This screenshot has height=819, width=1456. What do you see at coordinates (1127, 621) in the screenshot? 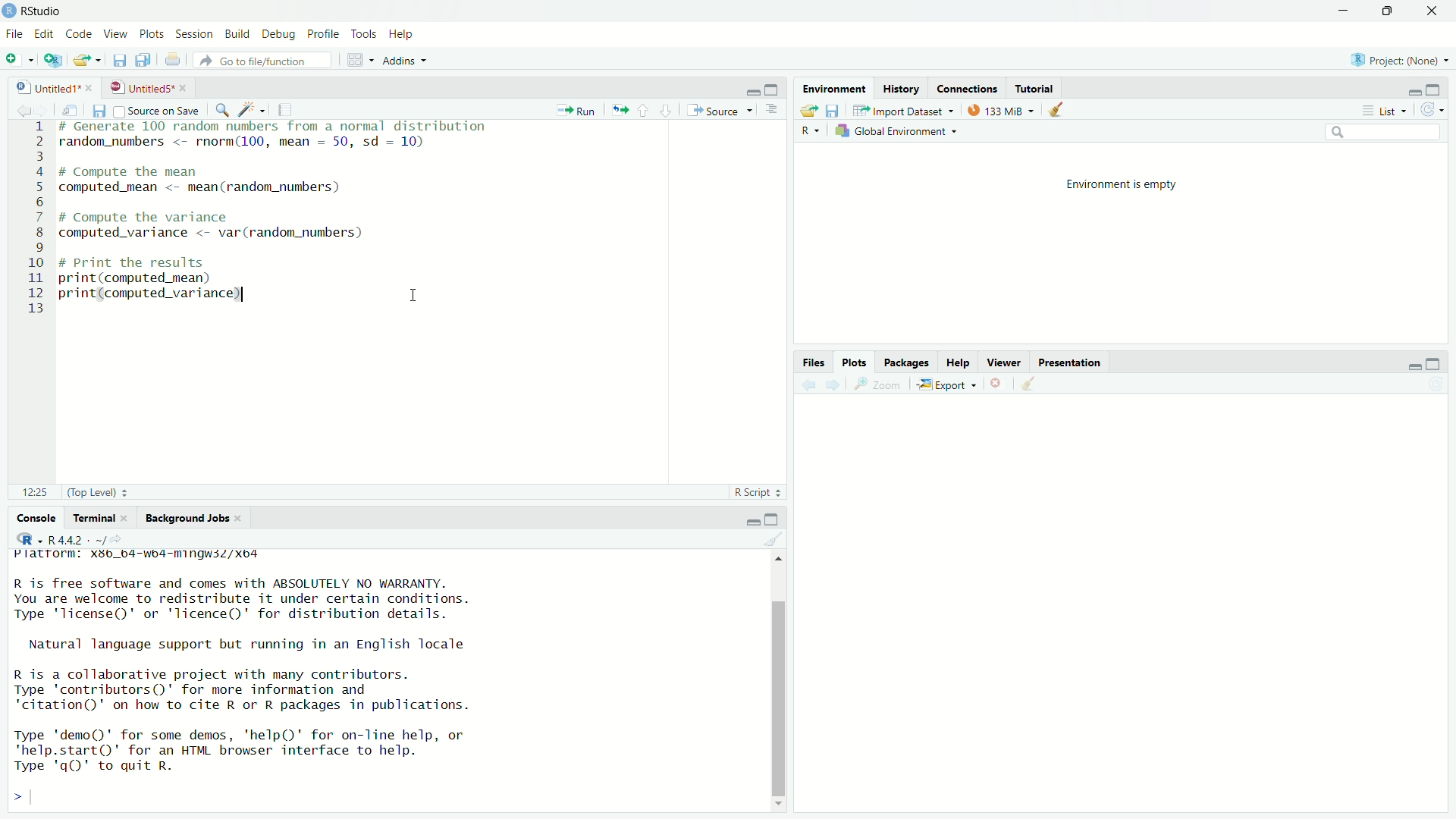
I see `empty plot area` at bounding box center [1127, 621].